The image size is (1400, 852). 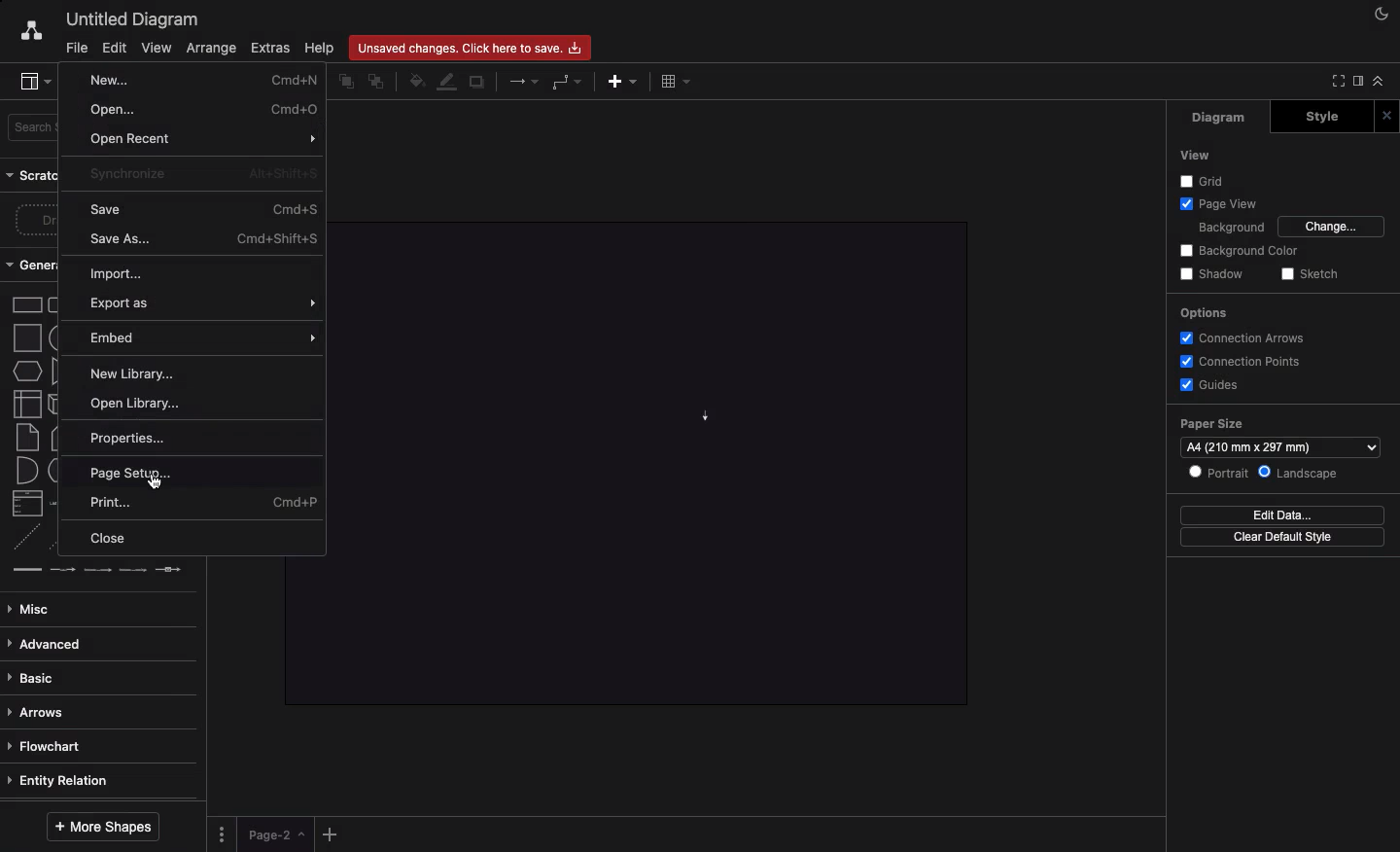 I want to click on Synchronize, so click(x=128, y=173).